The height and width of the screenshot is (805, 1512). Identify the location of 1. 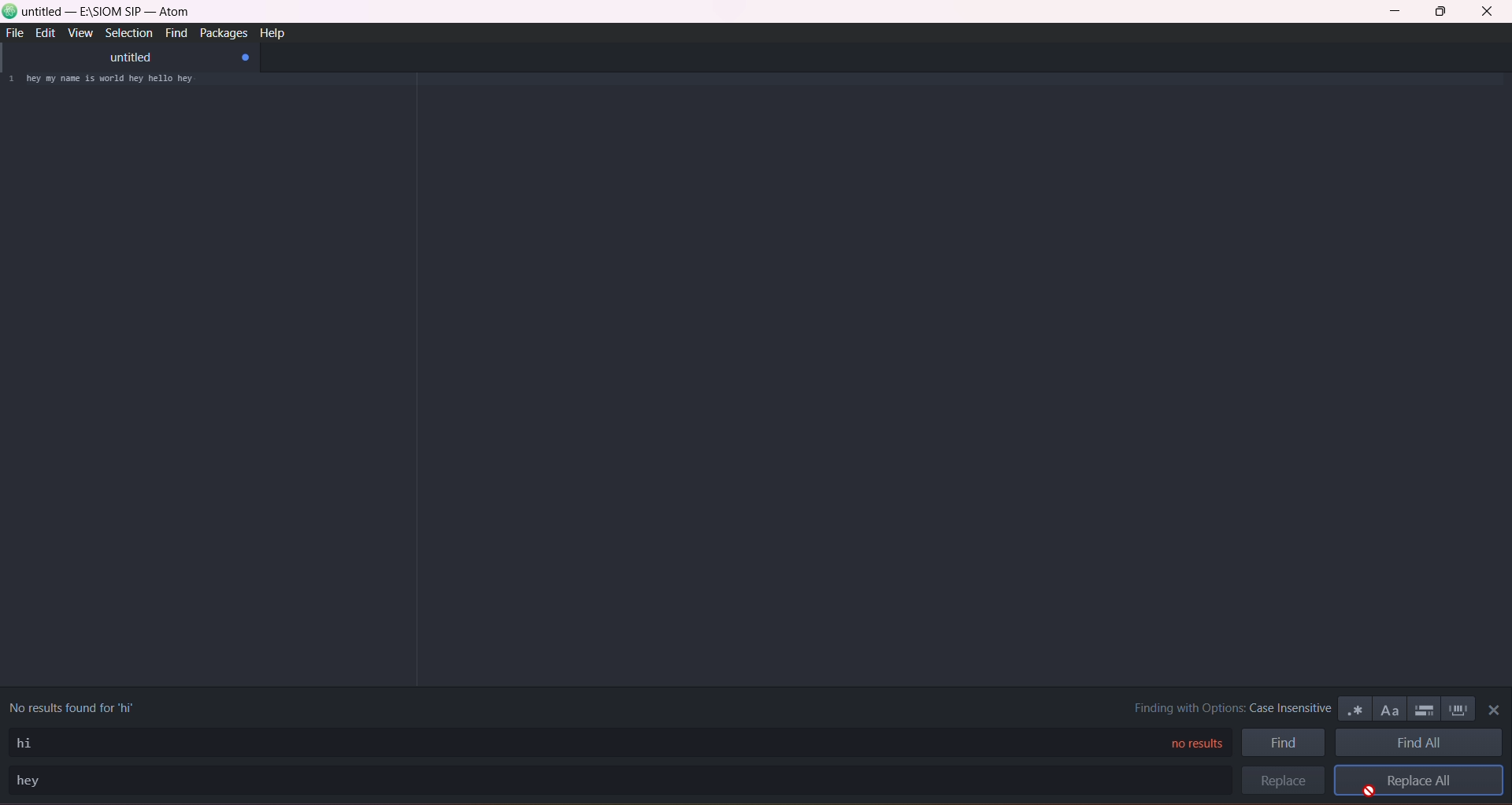
(10, 80).